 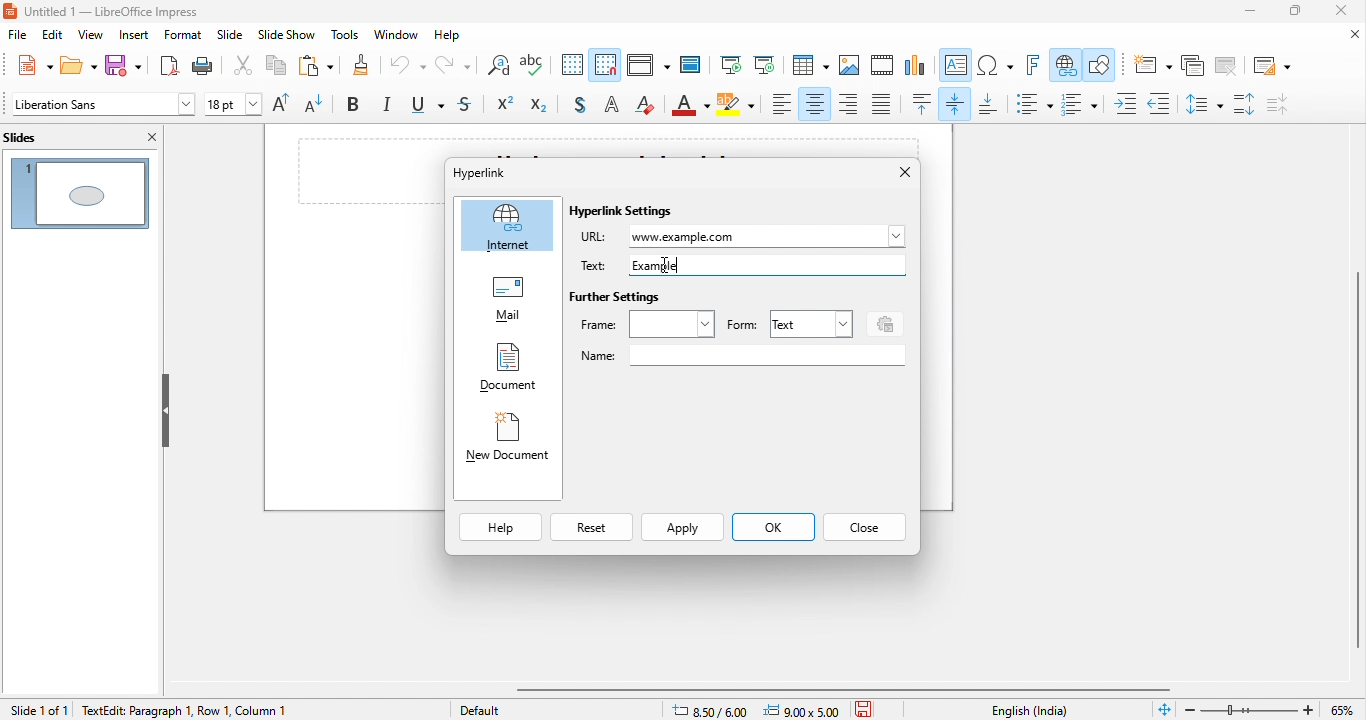 I want to click on bold, so click(x=357, y=106).